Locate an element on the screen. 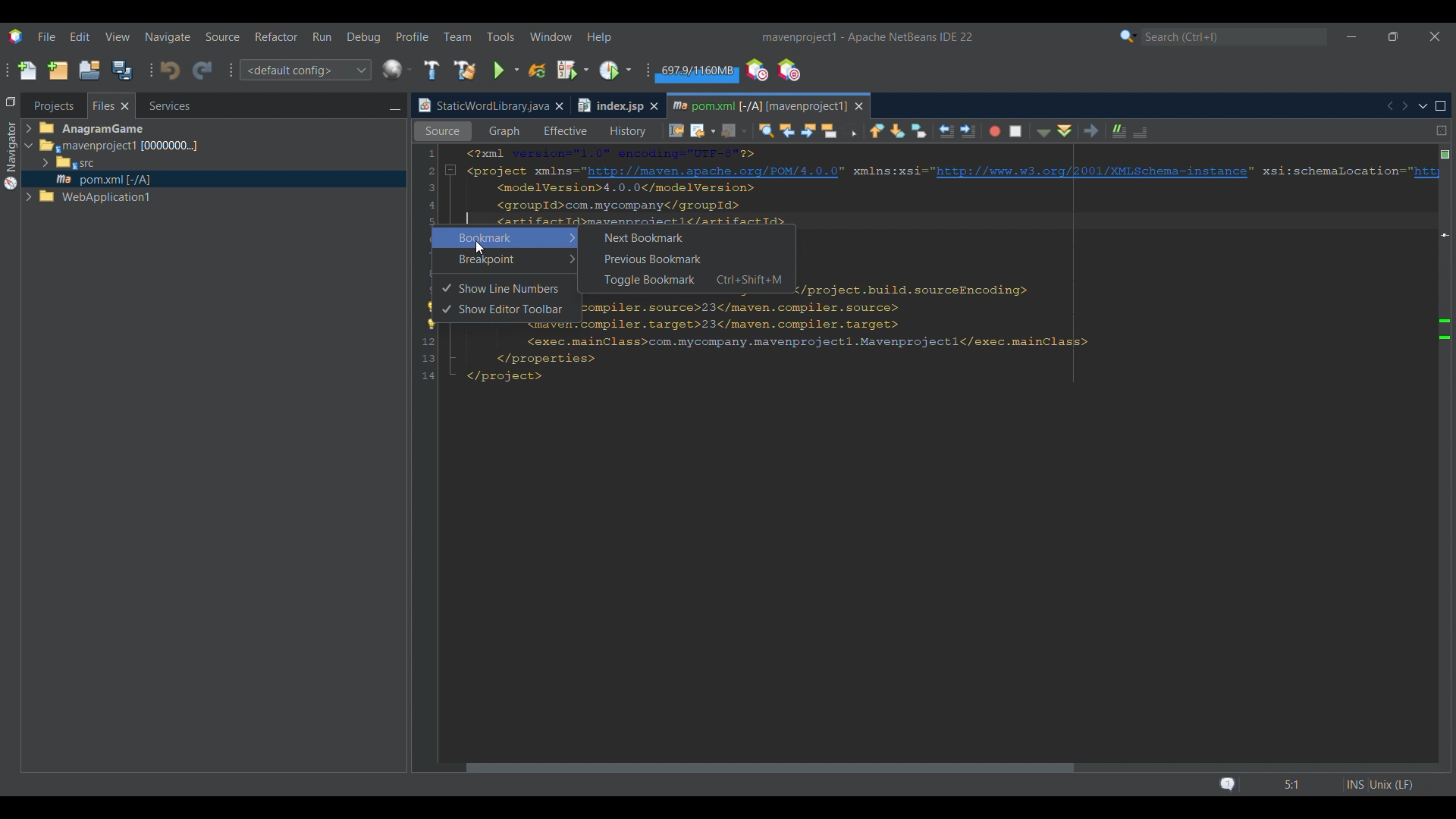  Search category selection is located at coordinates (1128, 36).